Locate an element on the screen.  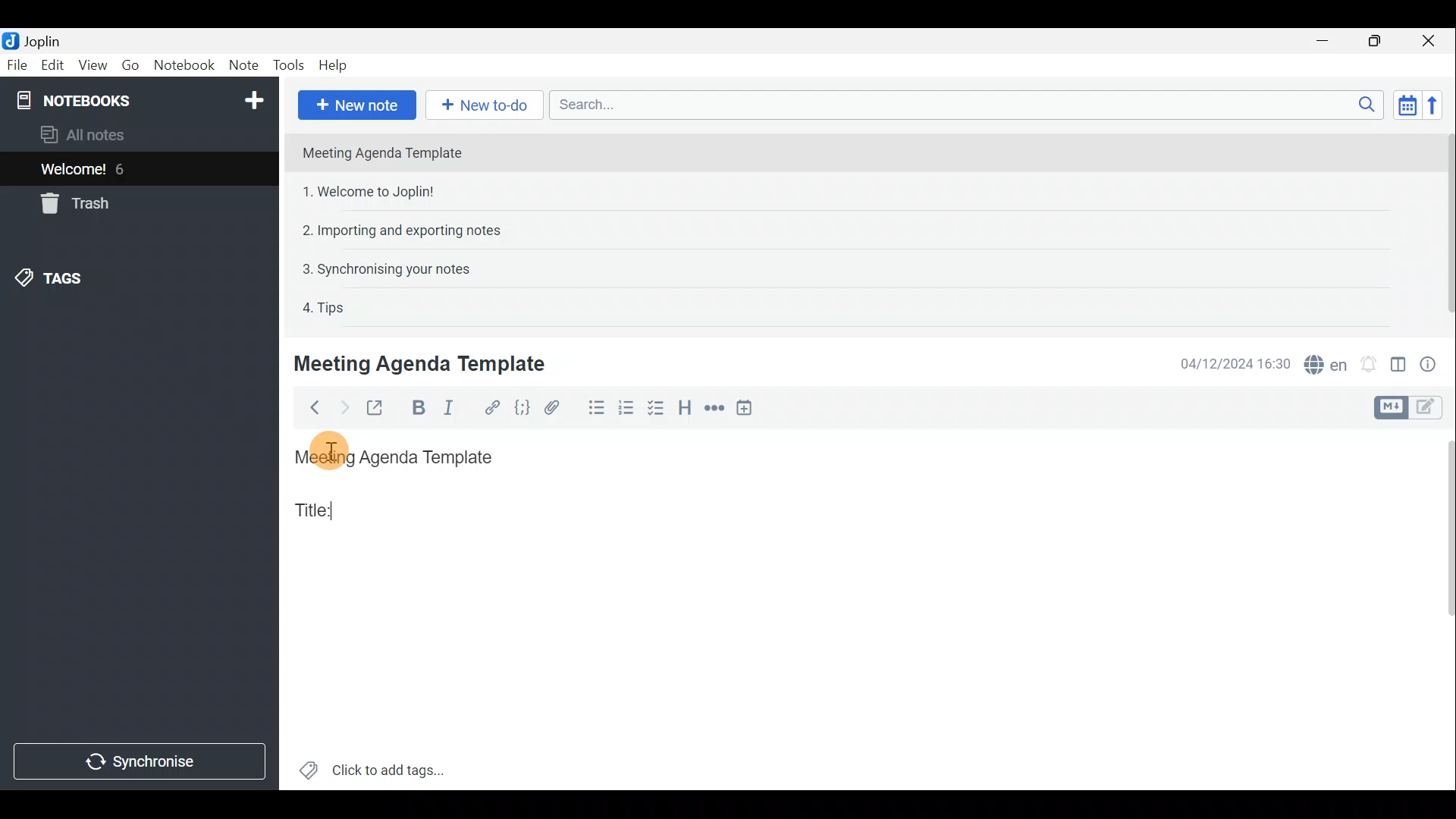
Toggle sort order is located at coordinates (1404, 103).